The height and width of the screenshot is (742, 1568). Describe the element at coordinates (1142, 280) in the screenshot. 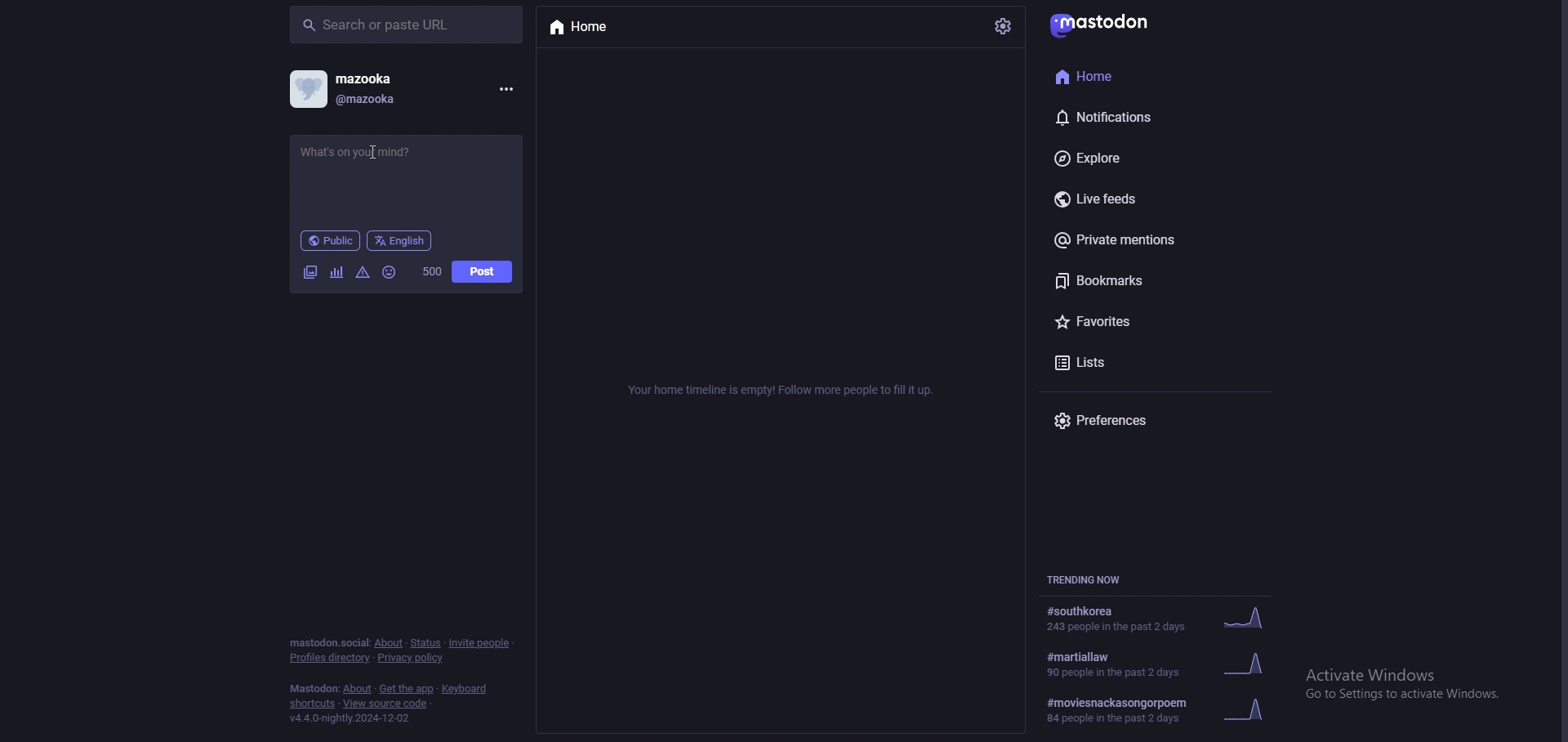

I see `bookmarks` at that location.